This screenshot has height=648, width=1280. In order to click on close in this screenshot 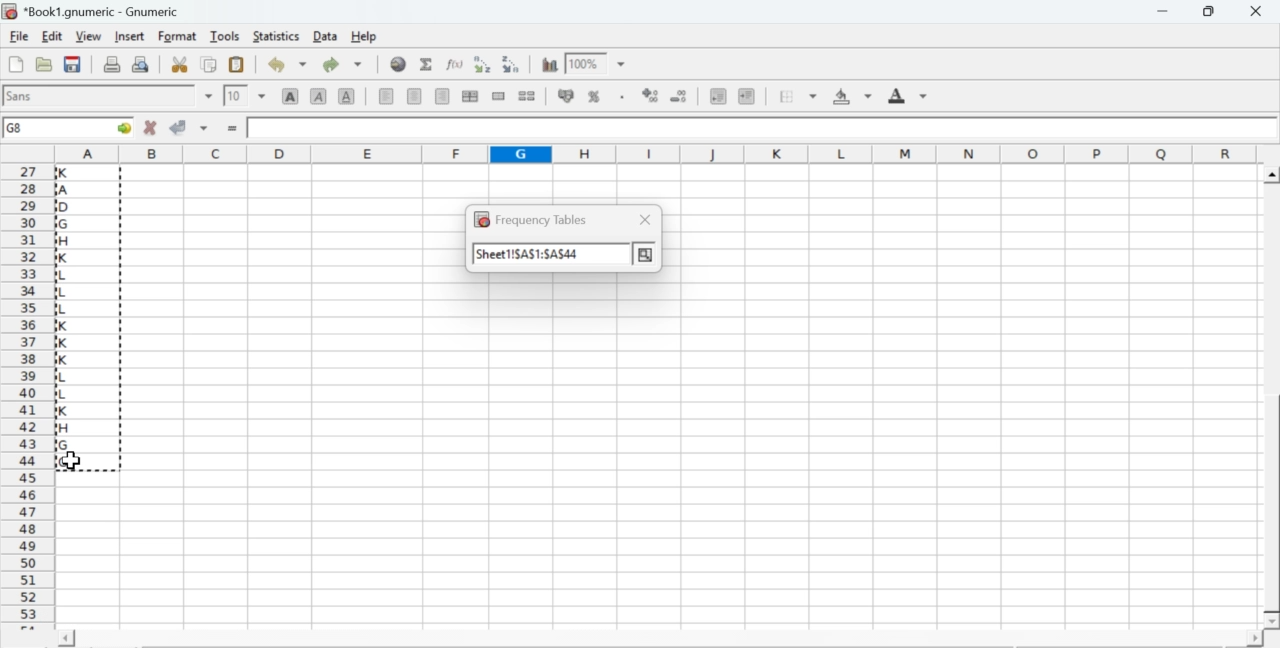, I will do `click(1254, 11)`.